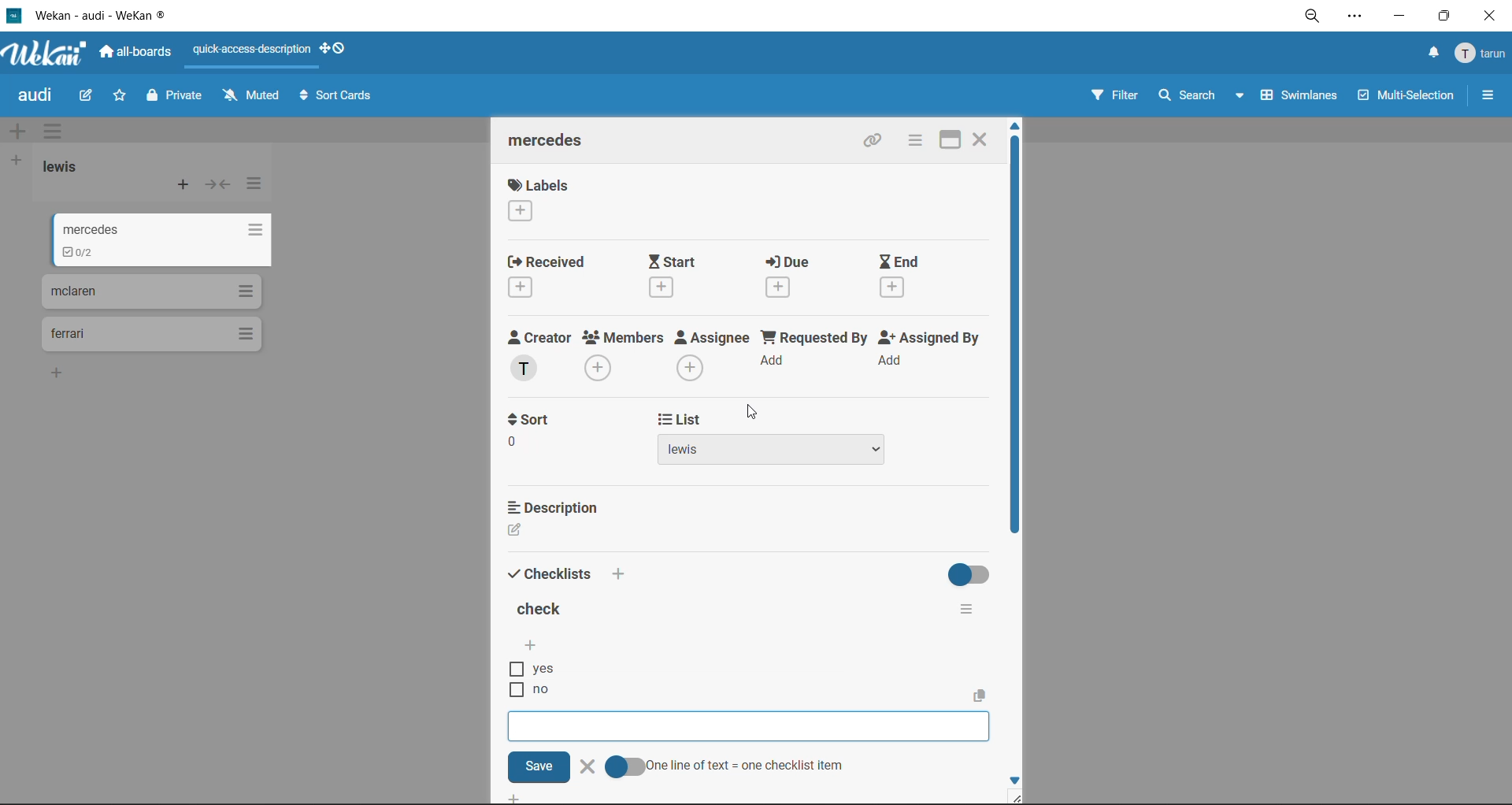 The width and height of the screenshot is (1512, 805). Describe the element at coordinates (553, 143) in the screenshot. I see `card title` at that location.